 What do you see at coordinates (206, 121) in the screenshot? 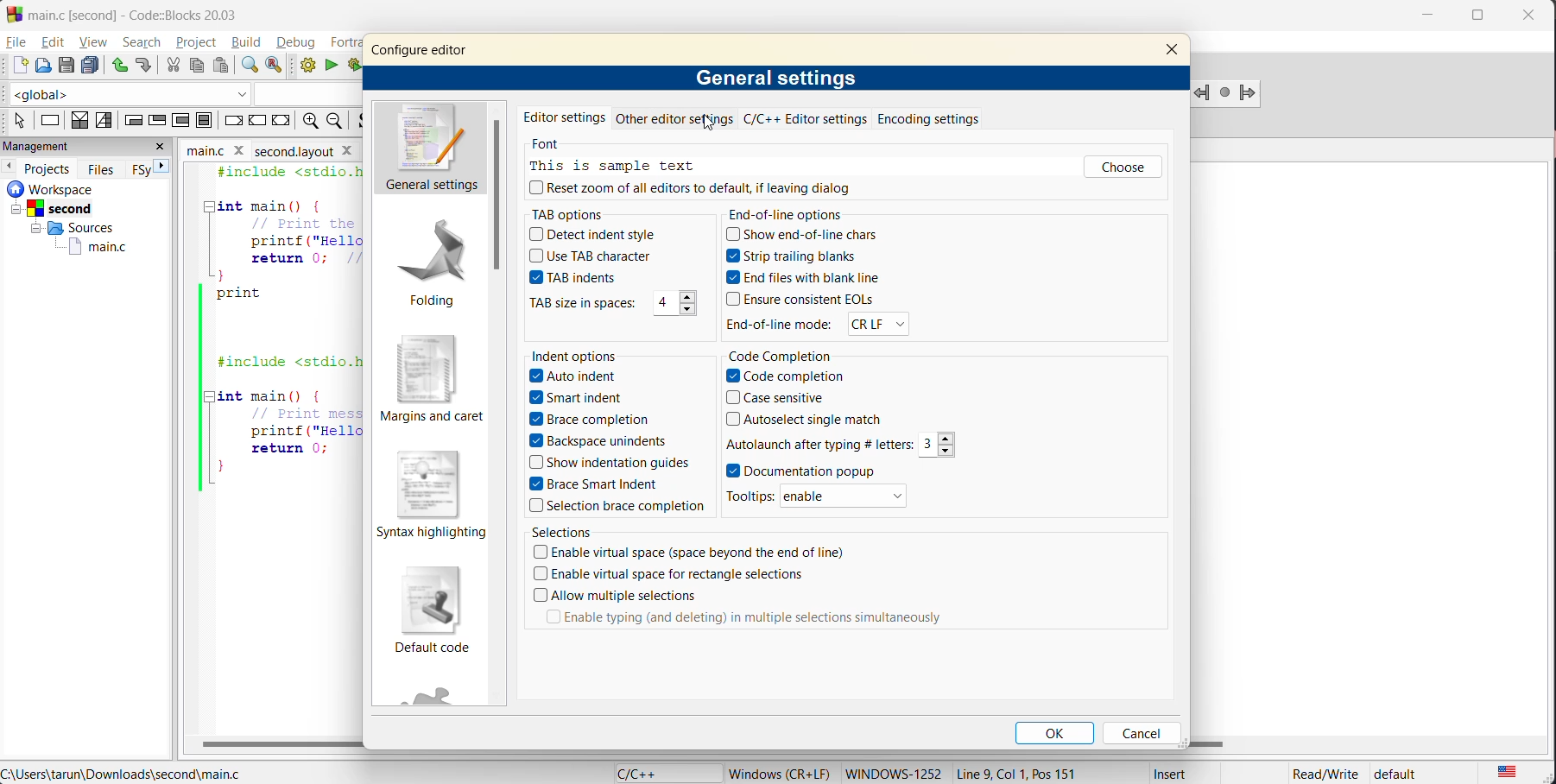
I see `block instruction` at bounding box center [206, 121].